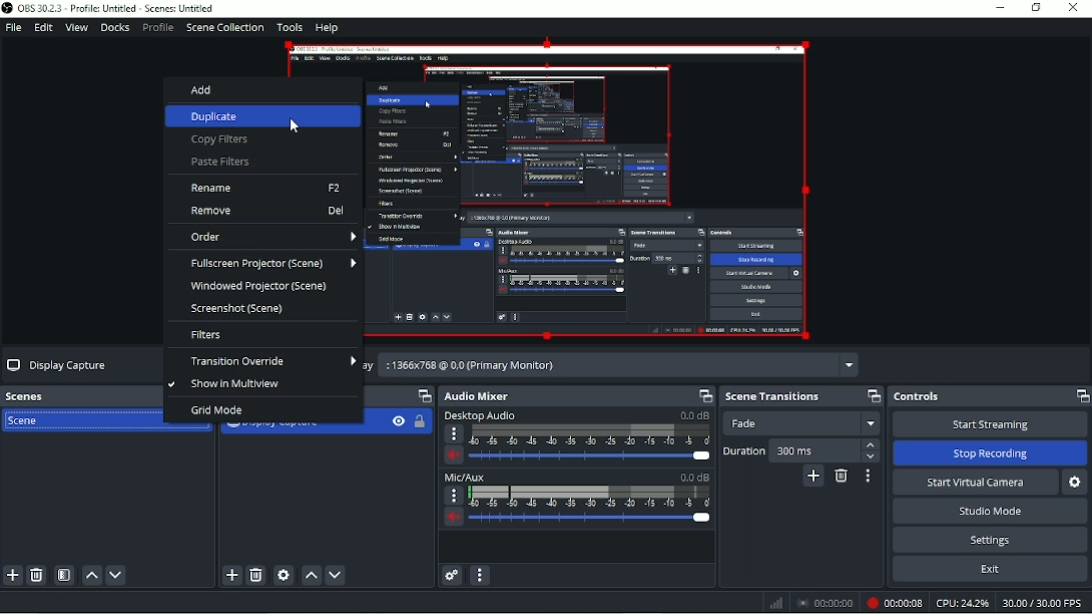  I want to click on View, so click(76, 28).